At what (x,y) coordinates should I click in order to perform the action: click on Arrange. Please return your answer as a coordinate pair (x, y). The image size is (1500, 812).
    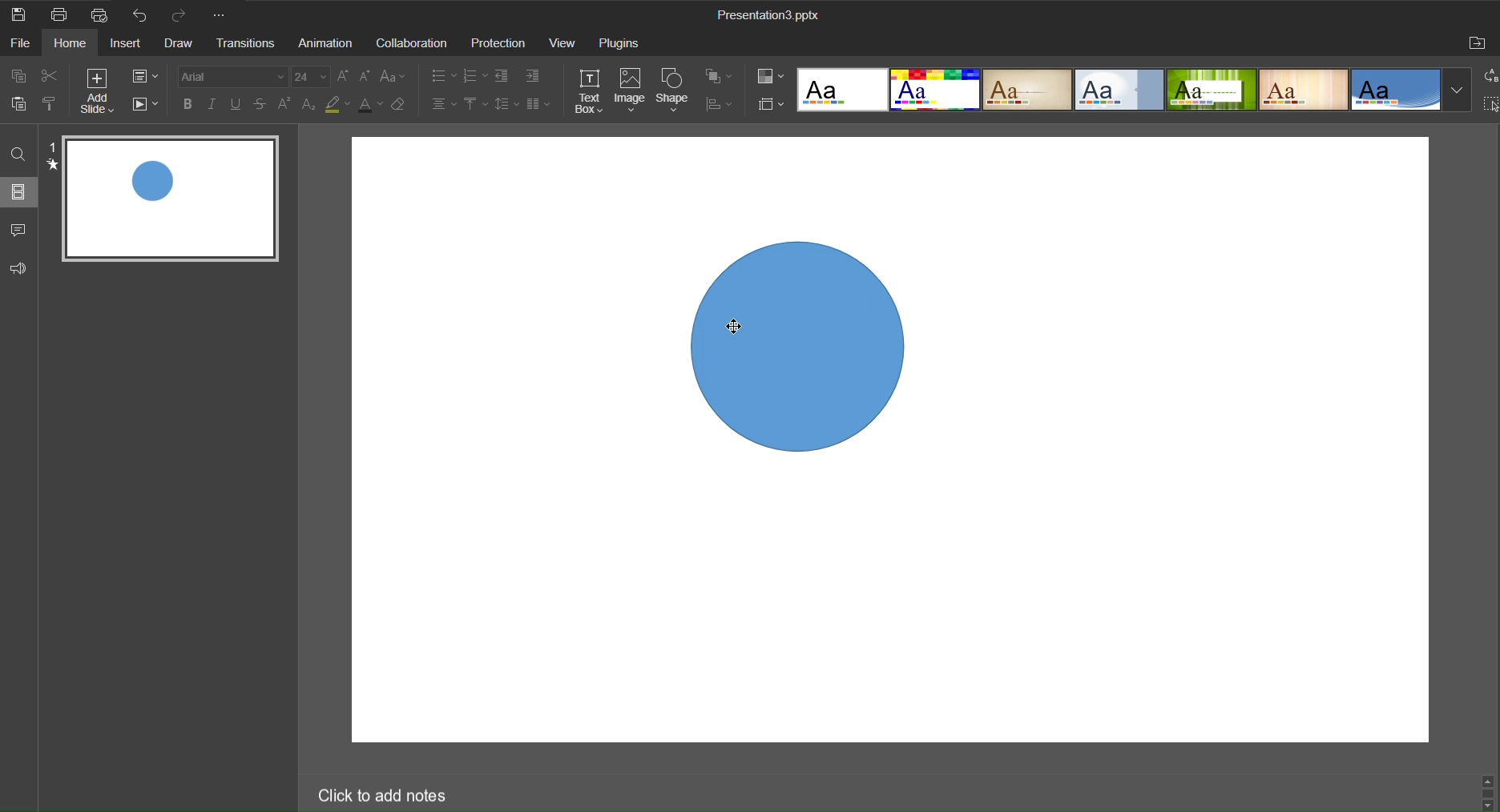
    Looking at the image, I should click on (724, 77).